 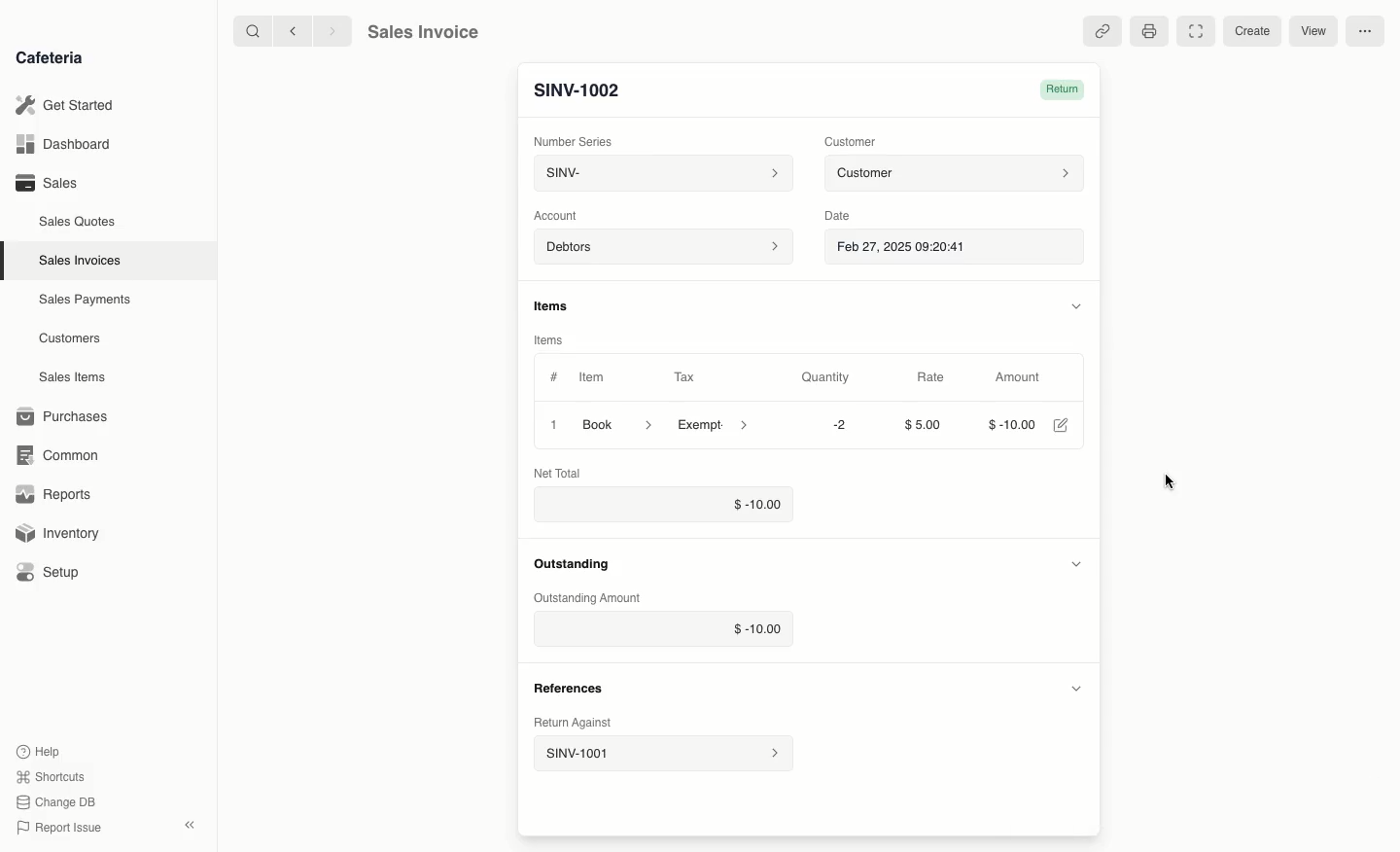 I want to click on Dashboard, so click(x=63, y=144).